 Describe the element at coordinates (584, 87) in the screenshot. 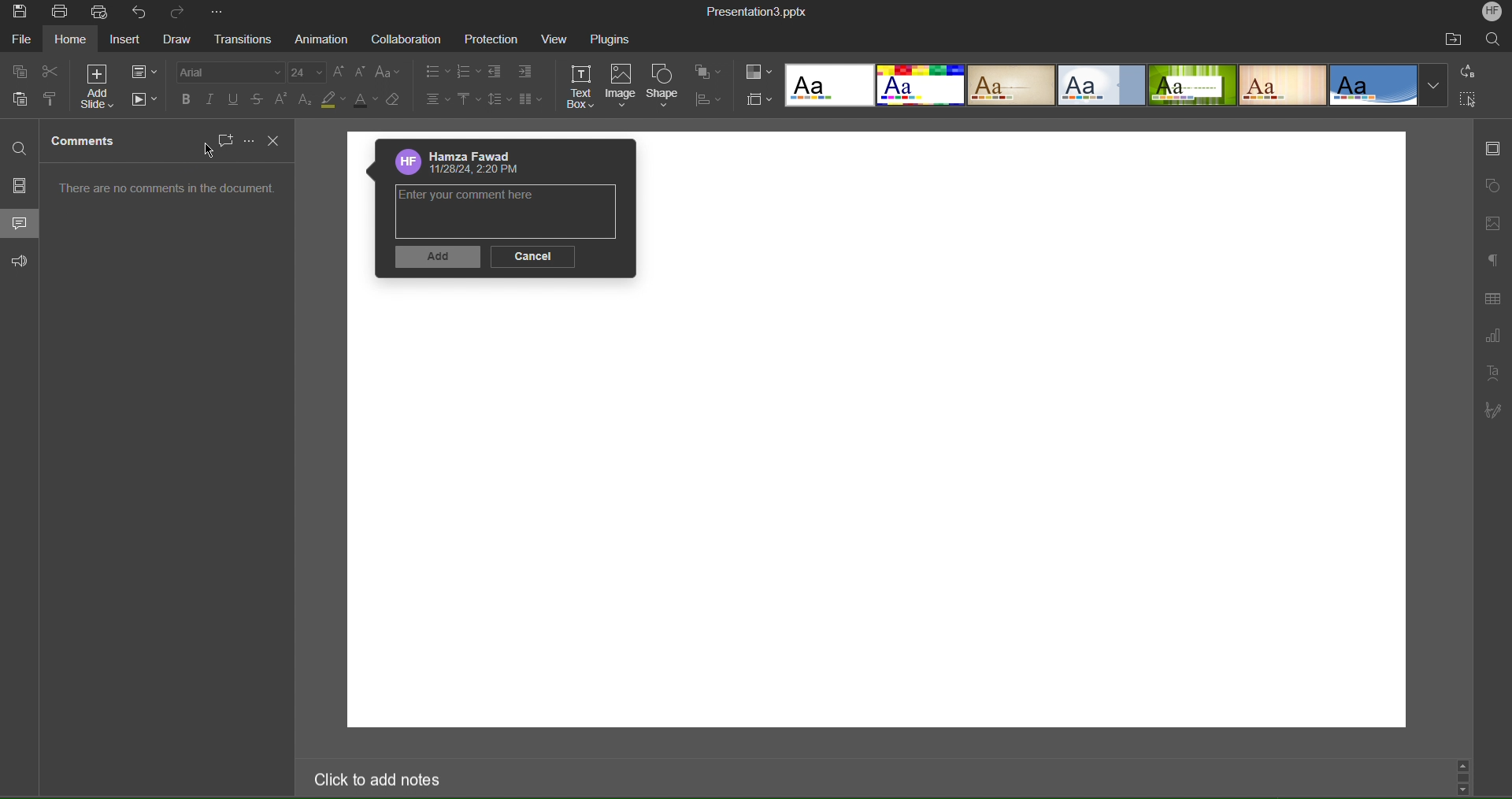

I see `Text Box` at that location.